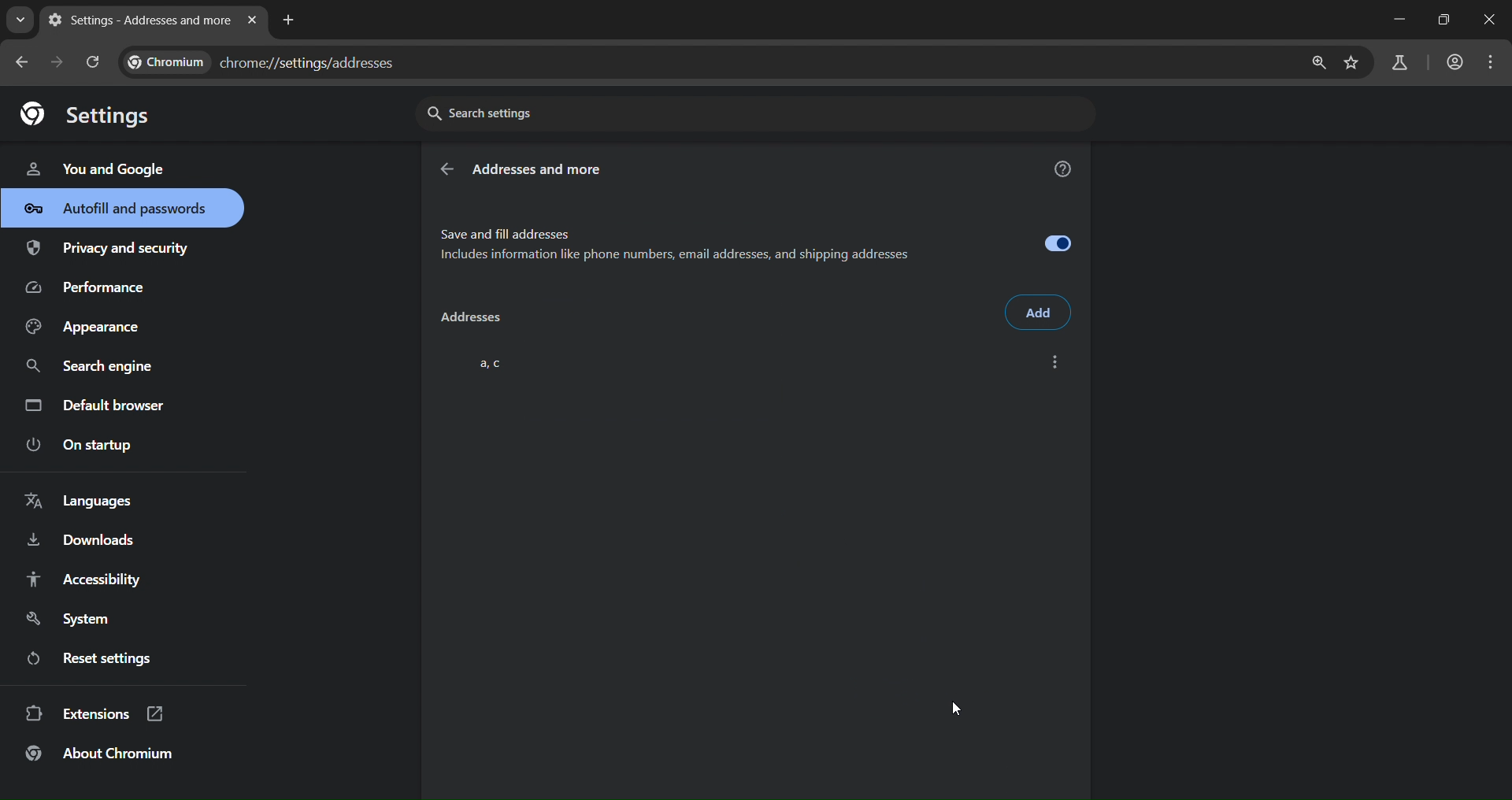 This screenshot has height=800, width=1512. I want to click on appearance, so click(88, 328).